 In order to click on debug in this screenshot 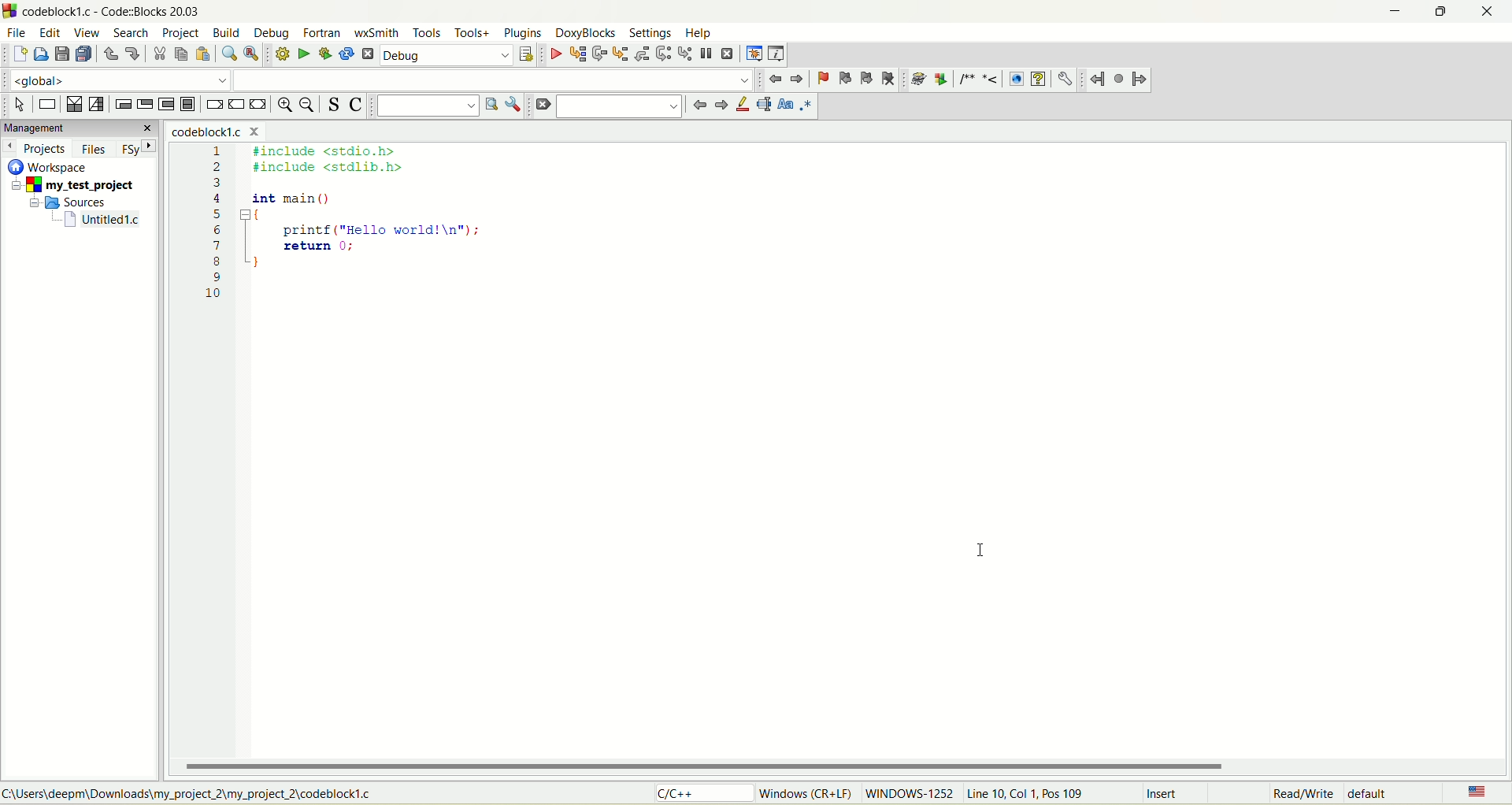, I will do `click(273, 33)`.